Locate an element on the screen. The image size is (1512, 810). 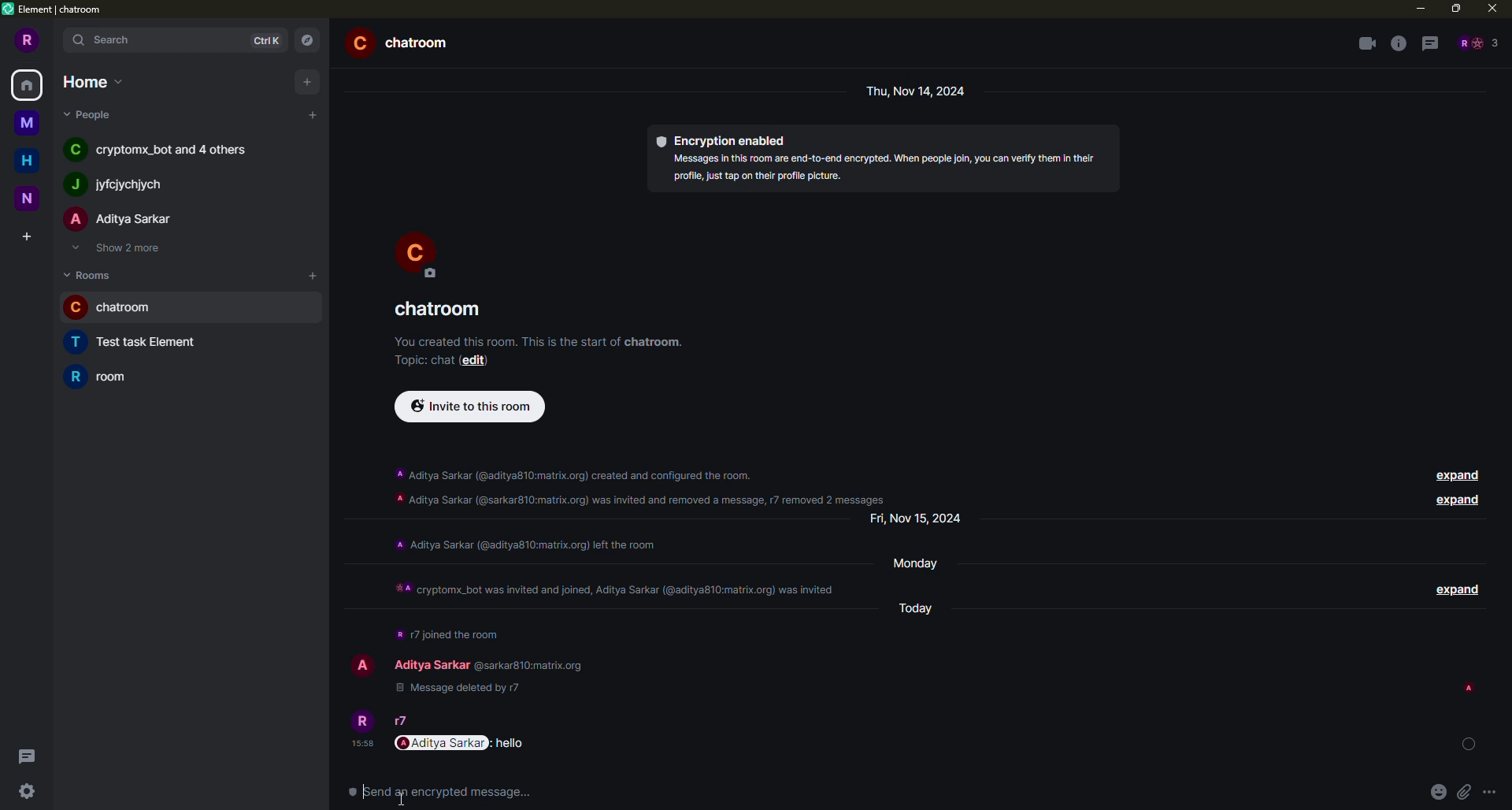
profile is located at coordinates (362, 719).